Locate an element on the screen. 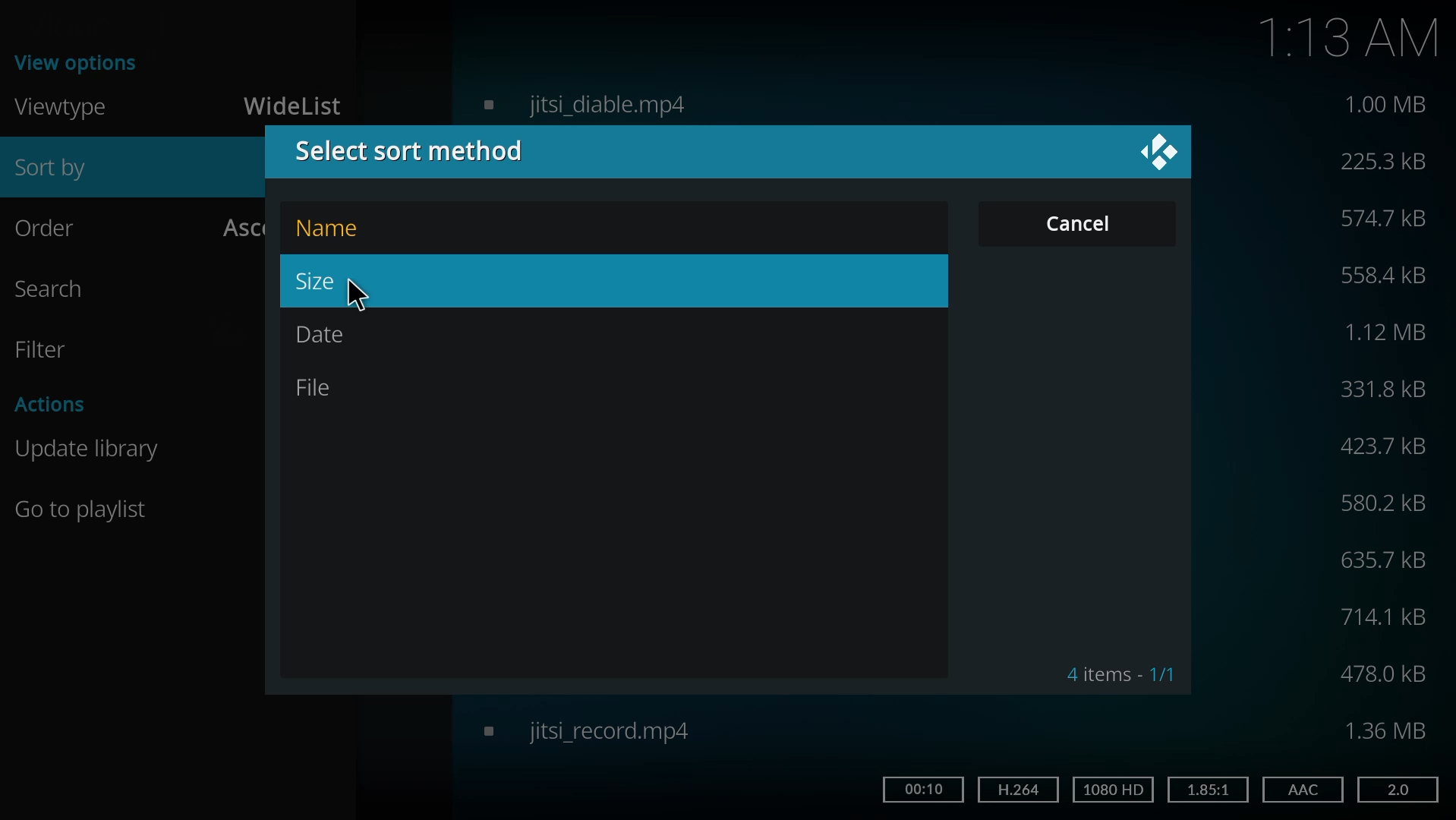  video is located at coordinates (600, 105).